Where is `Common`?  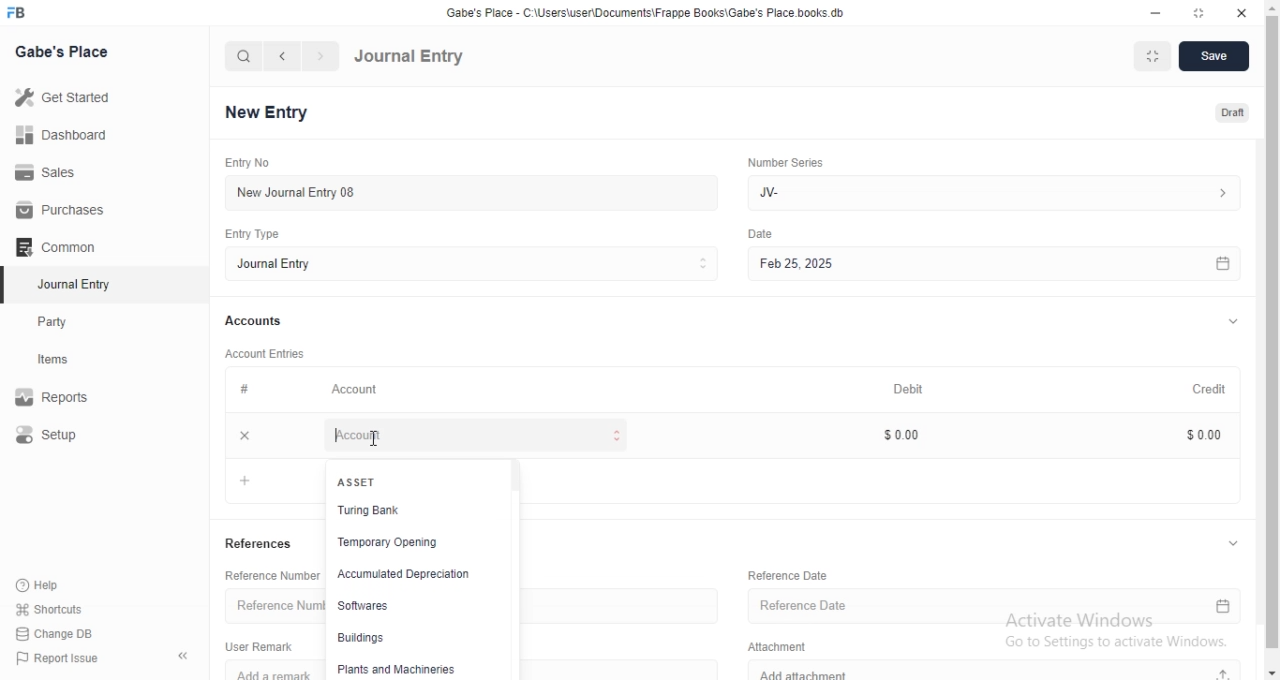 Common is located at coordinates (60, 247).